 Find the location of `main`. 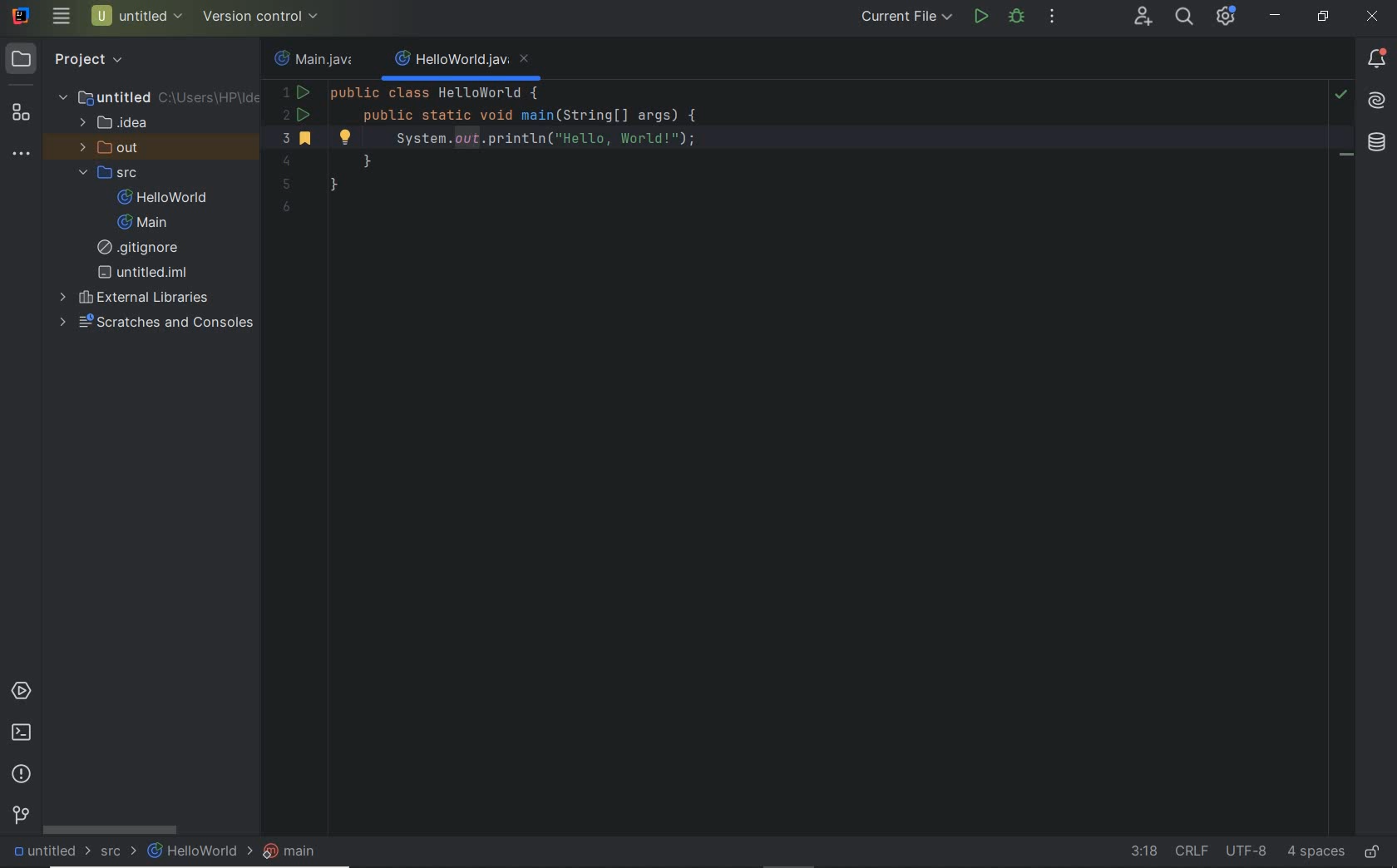

main is located at coordinates (289, 850).